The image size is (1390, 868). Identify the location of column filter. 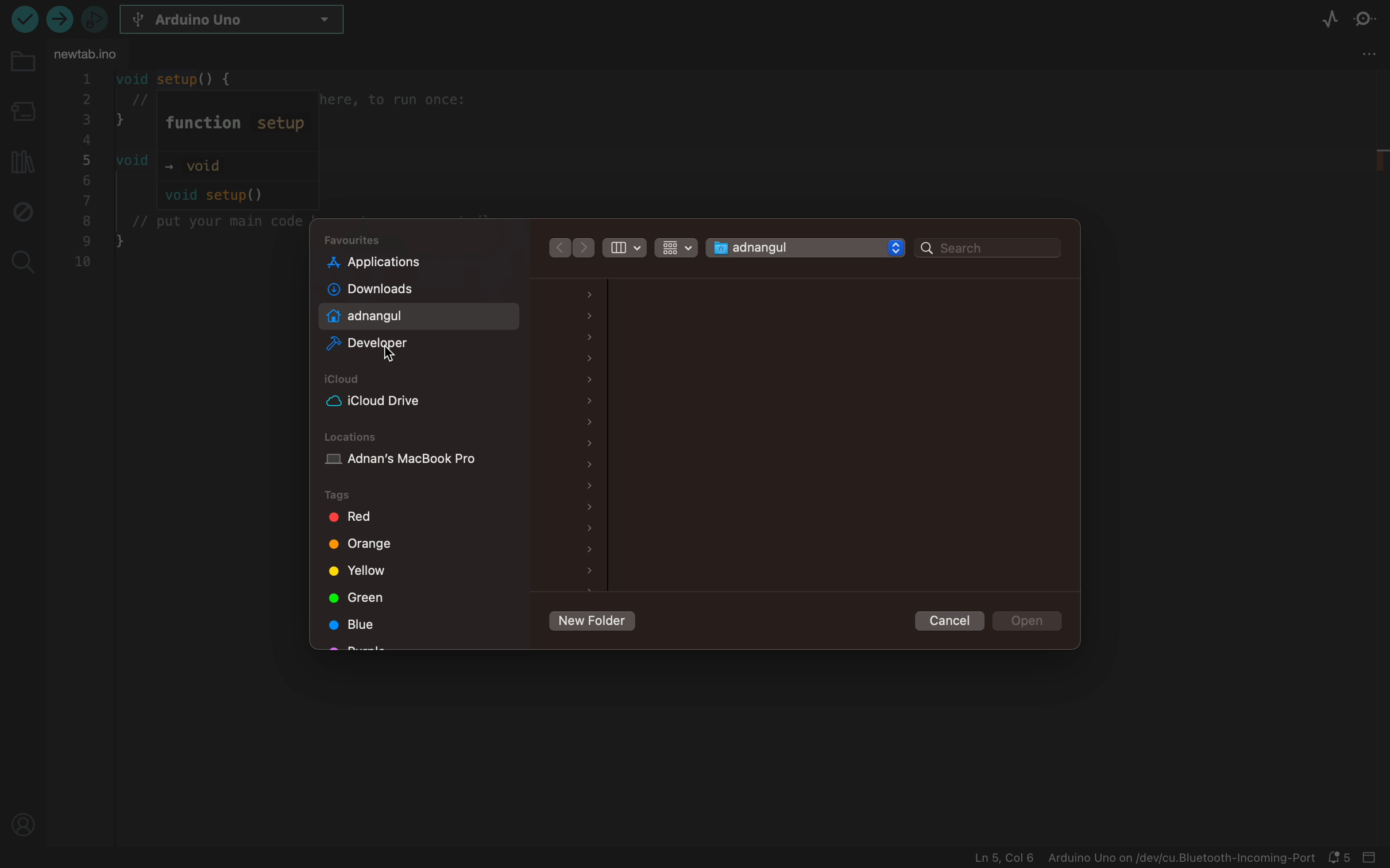
(625, 246).